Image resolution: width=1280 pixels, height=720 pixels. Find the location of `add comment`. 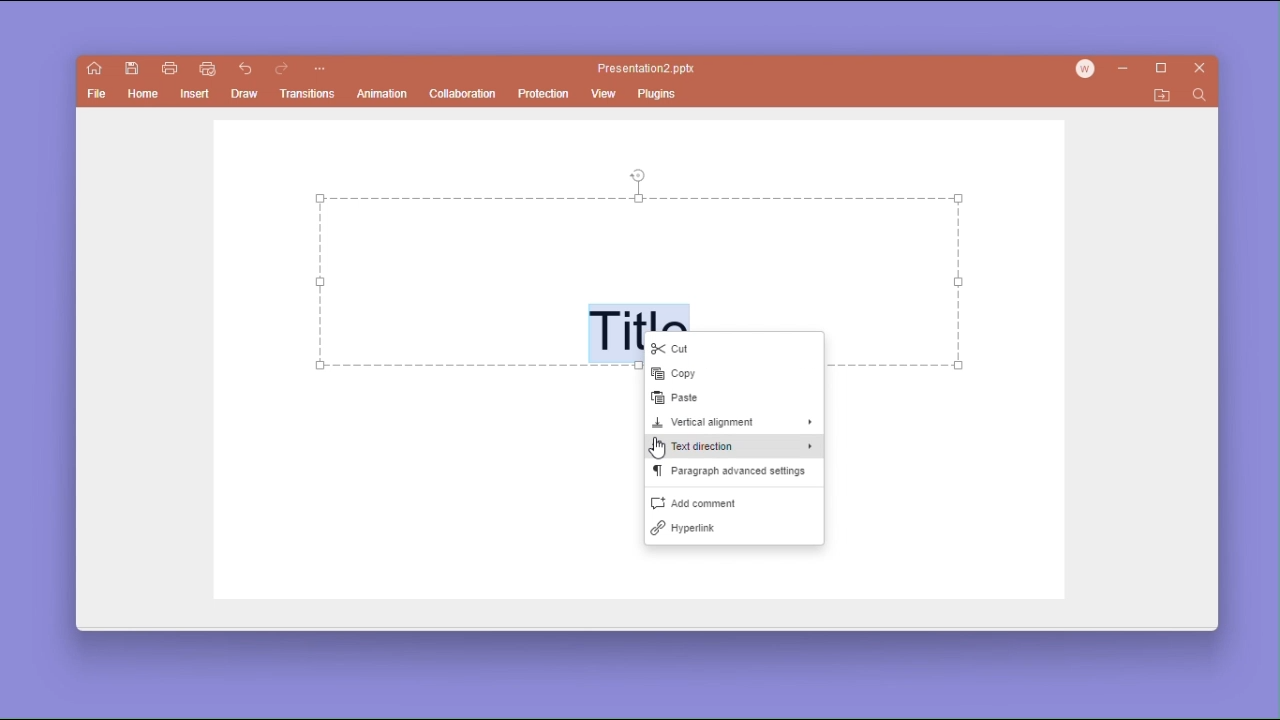

add comment is located at coordinates (734, 502).